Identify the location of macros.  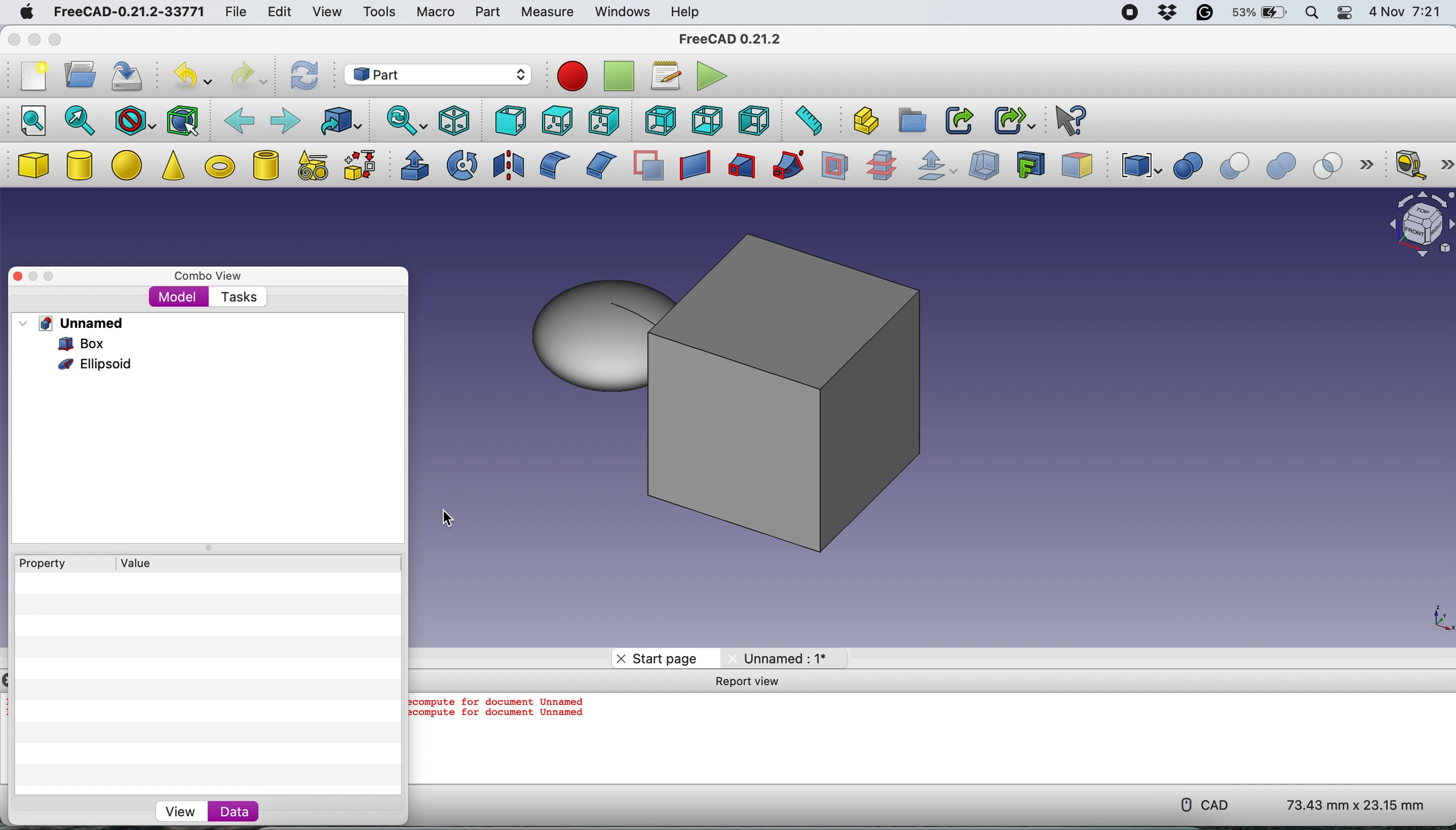
(663, 76).